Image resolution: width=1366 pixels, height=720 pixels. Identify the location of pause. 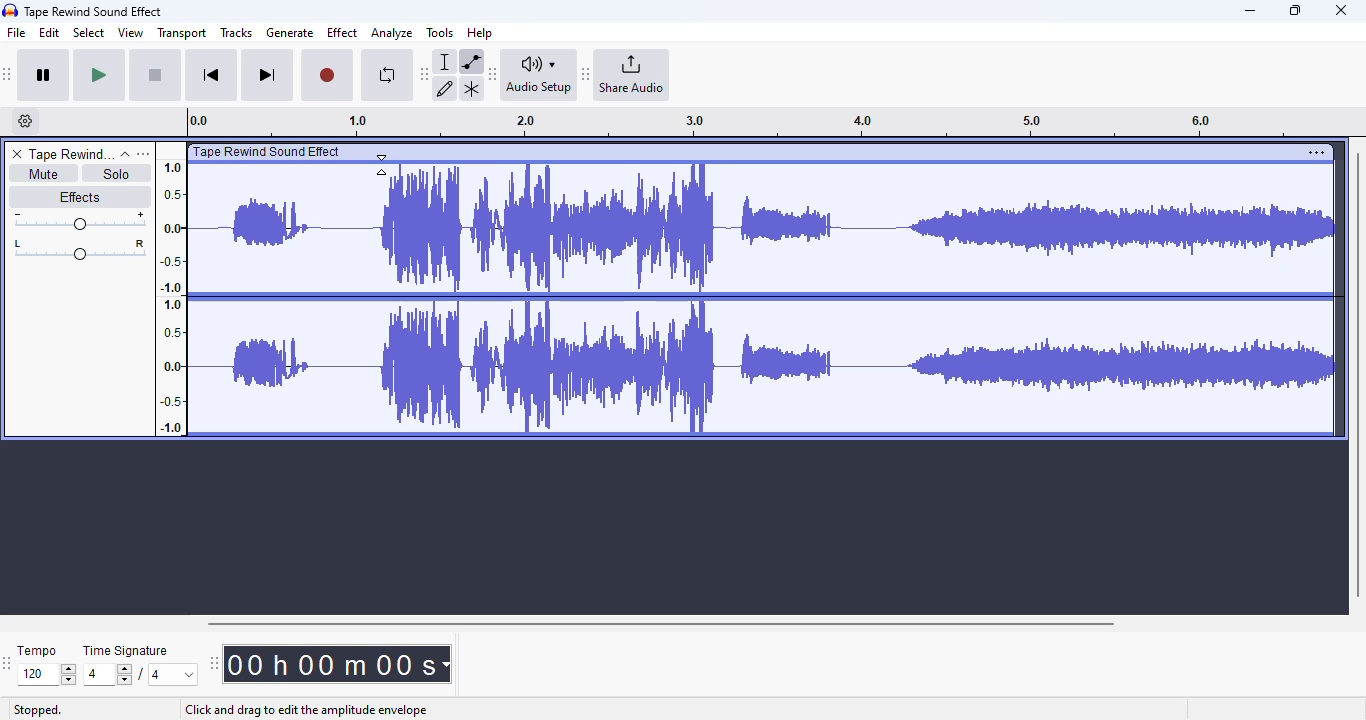
(44, 76).